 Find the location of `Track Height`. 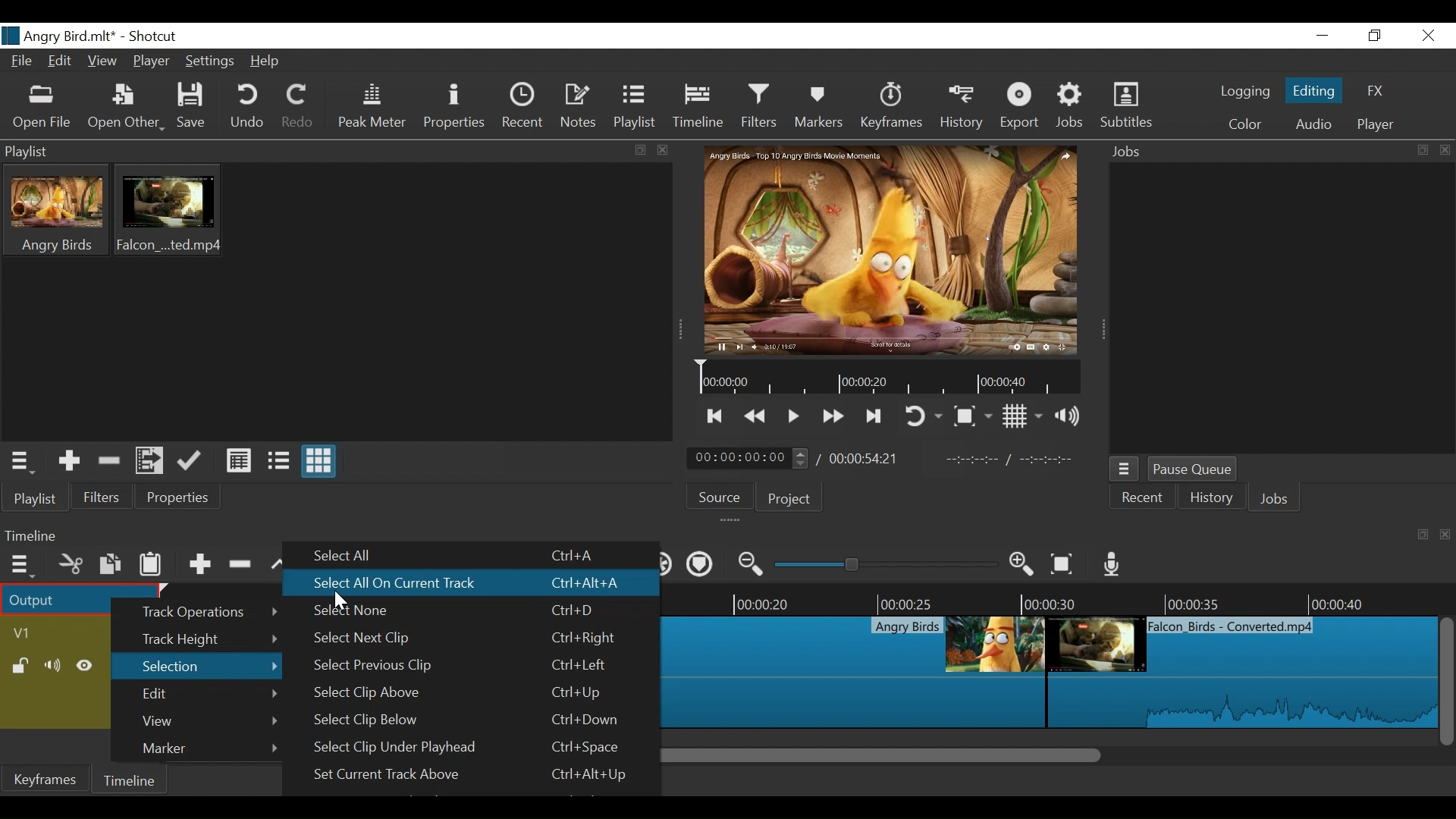

Track Height is located at coordinates (211, 641).